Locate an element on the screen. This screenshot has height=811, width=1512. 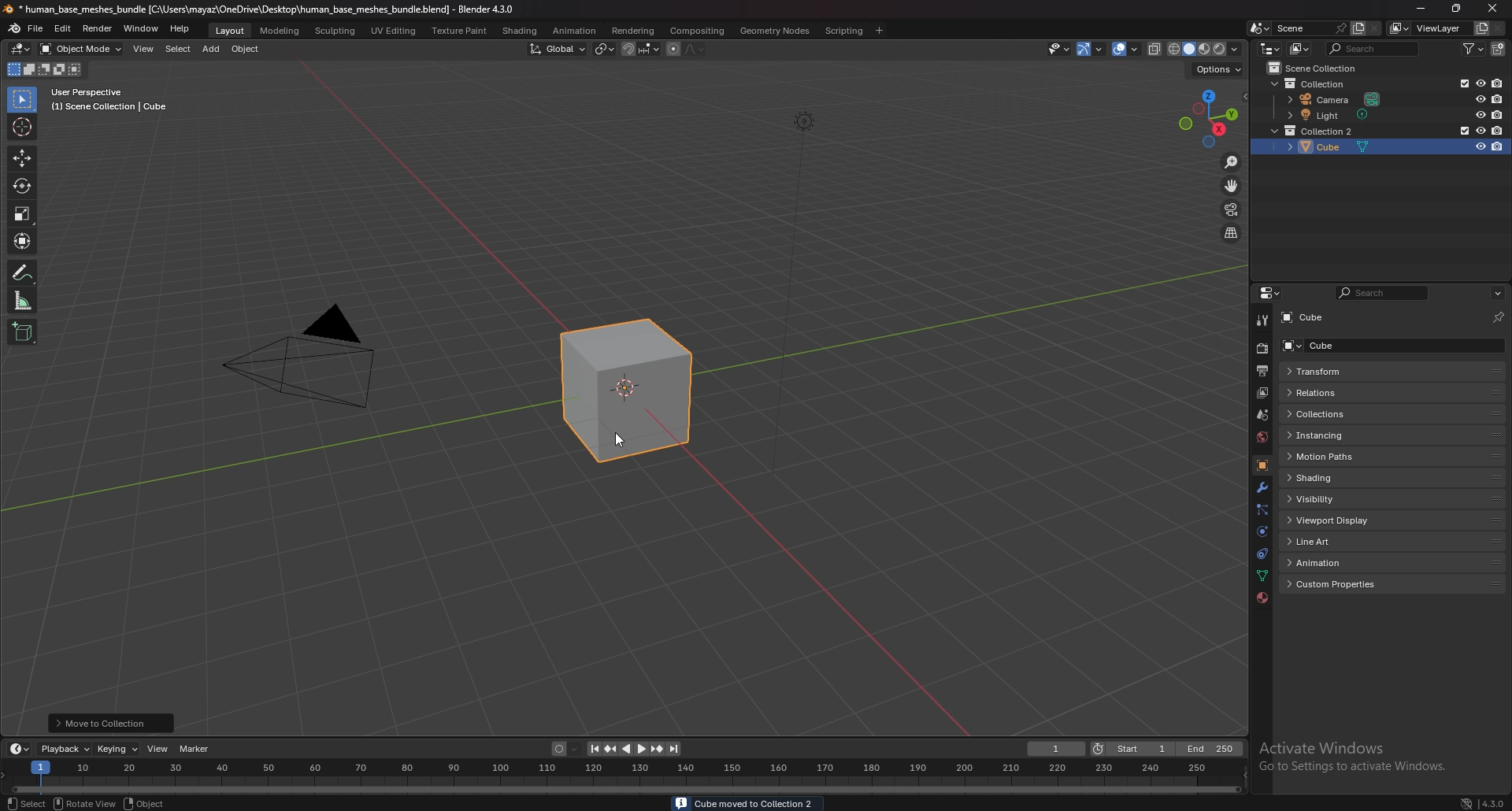
constraints is located at coordinates (1261, 554).